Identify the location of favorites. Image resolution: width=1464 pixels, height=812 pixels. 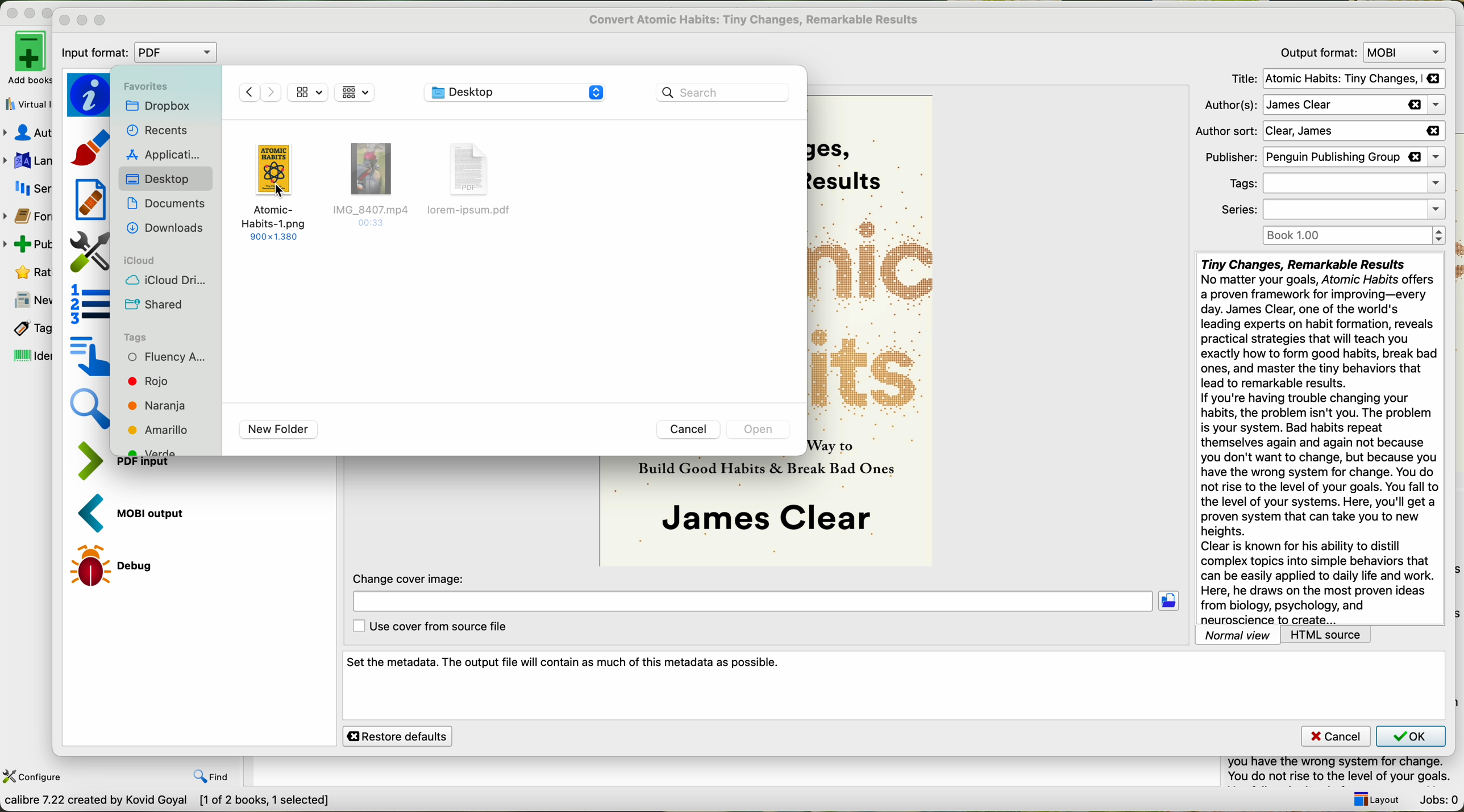
(144, 86).